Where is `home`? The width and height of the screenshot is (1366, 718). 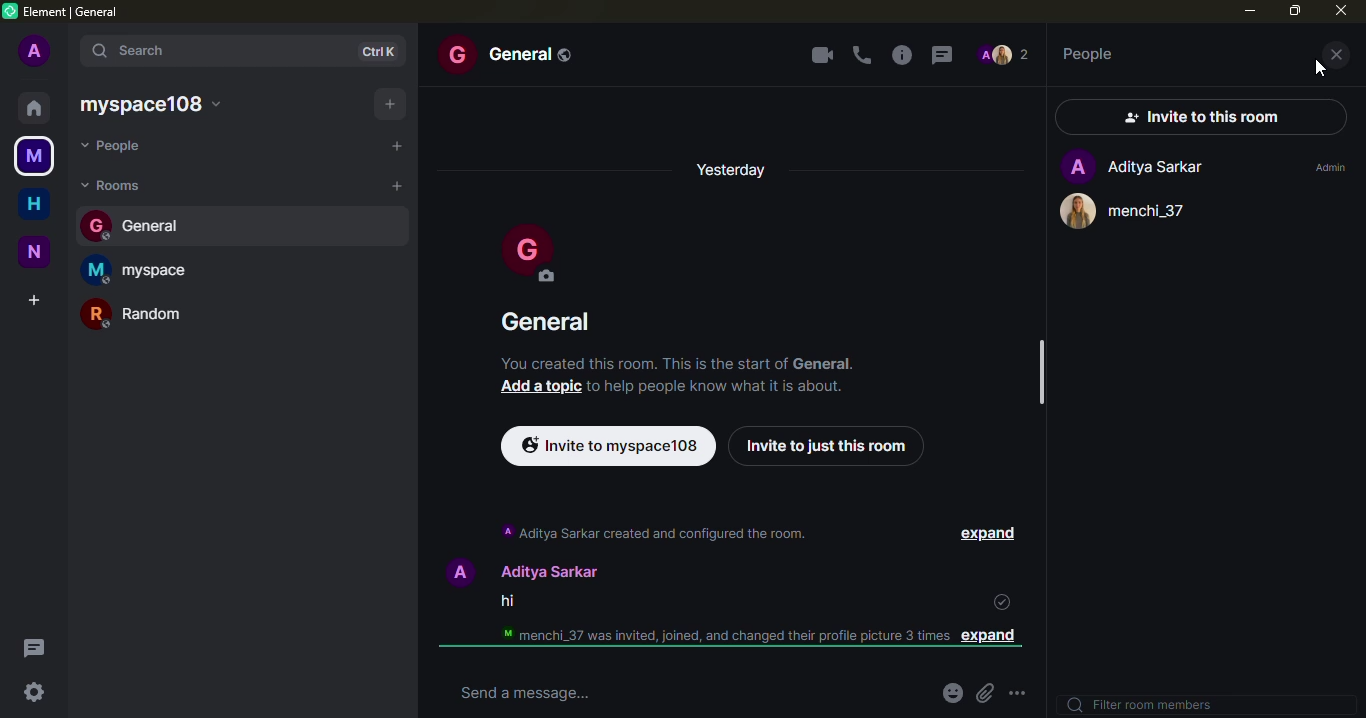
home is located at coordinates (36, 202).